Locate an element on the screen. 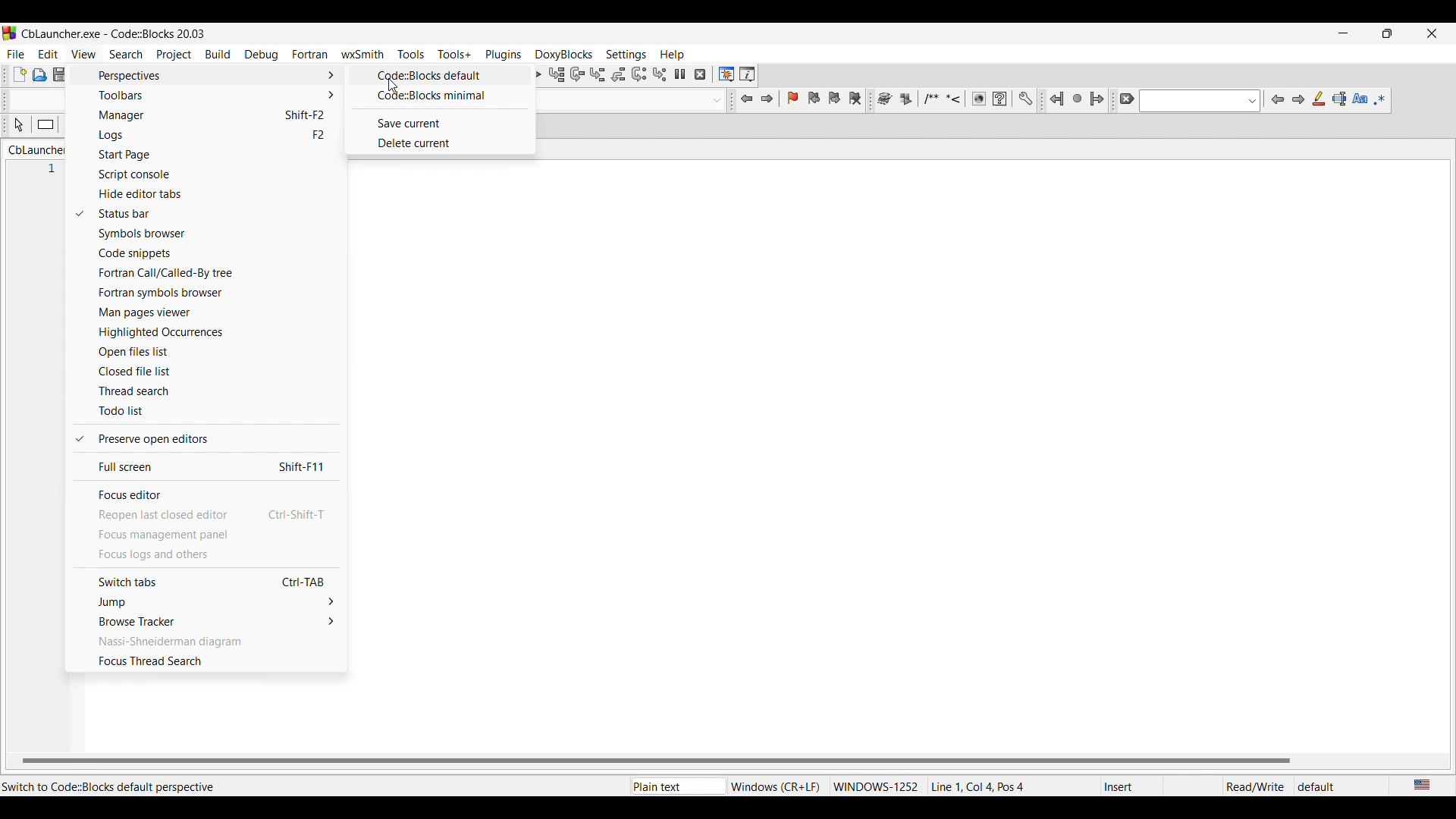 The width and height of the screenshot is (1456, 819). Build menu is located at coordinates (218, 54).